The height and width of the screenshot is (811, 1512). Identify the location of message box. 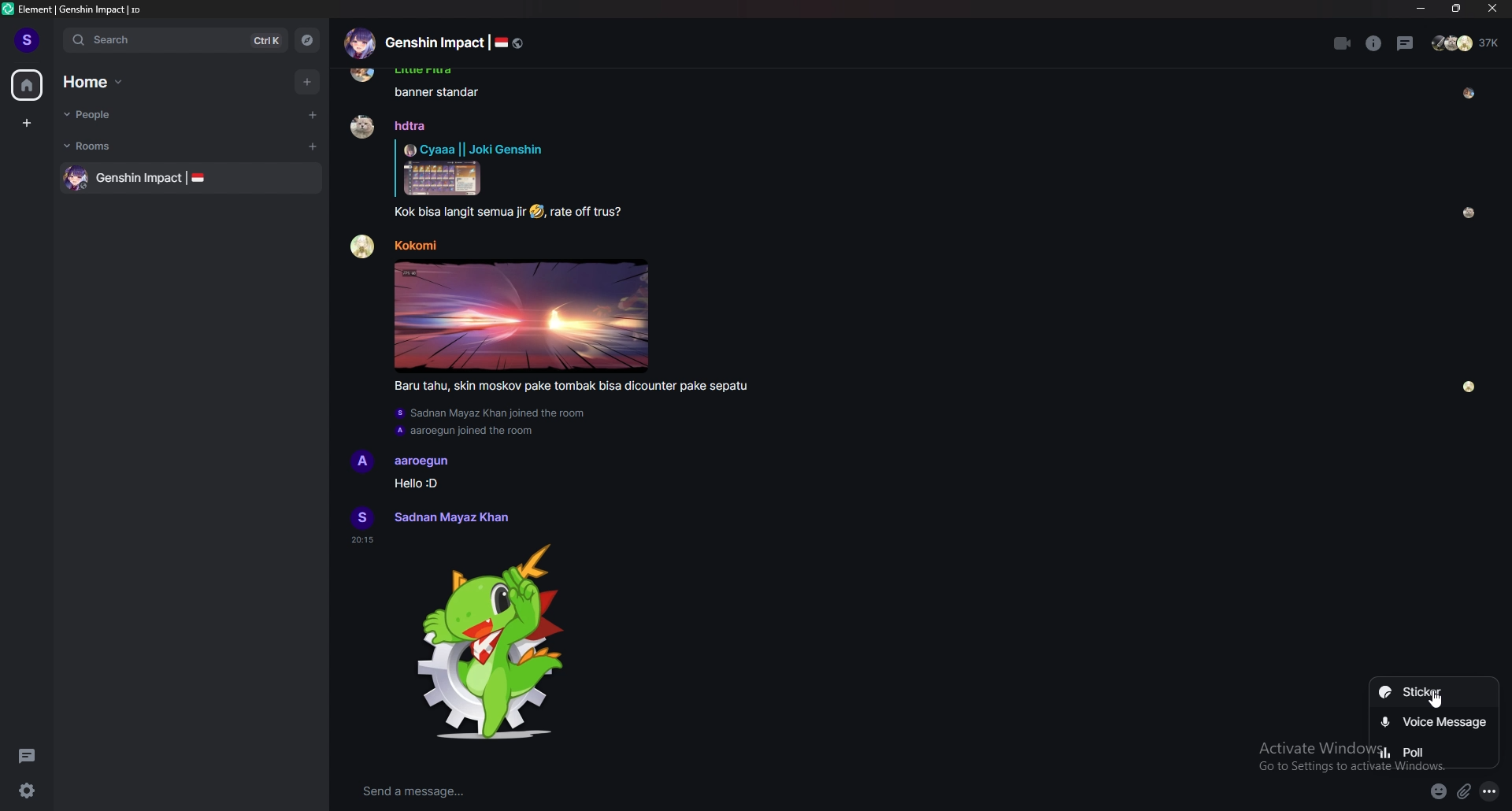
(673, 792).